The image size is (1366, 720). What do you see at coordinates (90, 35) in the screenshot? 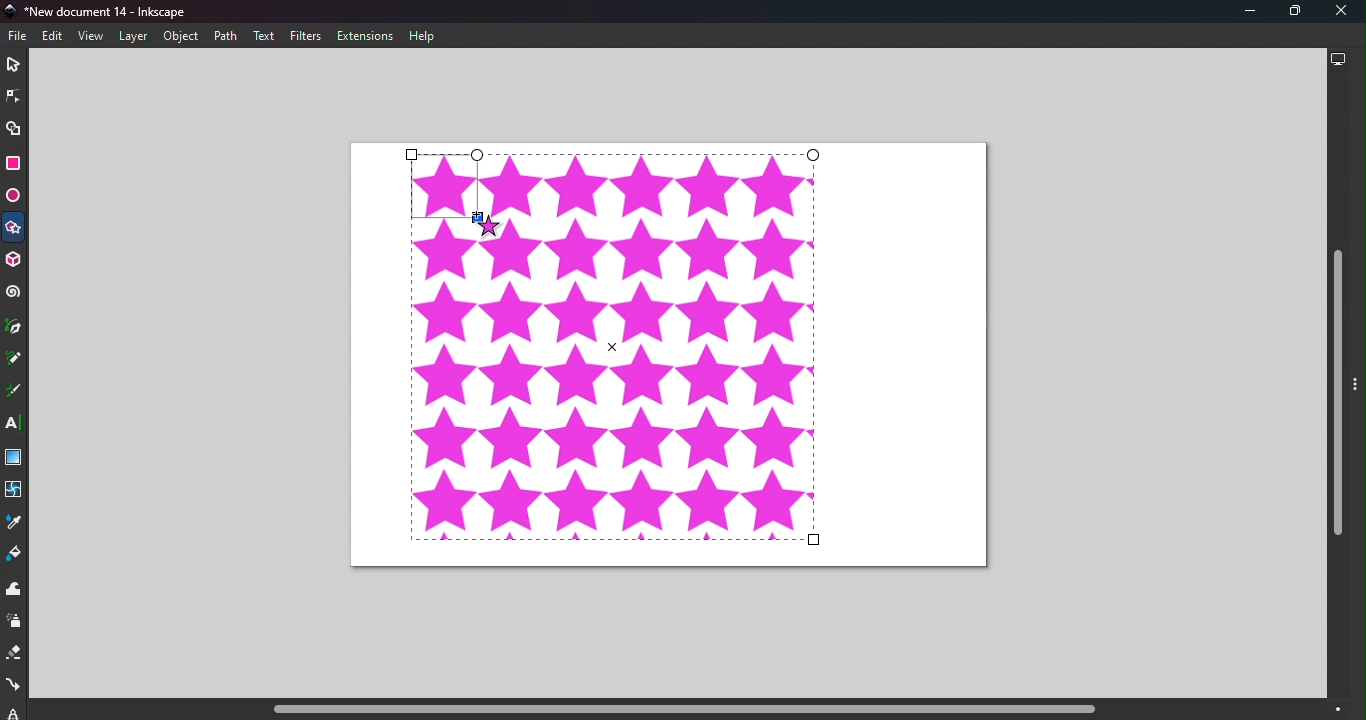
I see `View` at bounding box center [90, 35].